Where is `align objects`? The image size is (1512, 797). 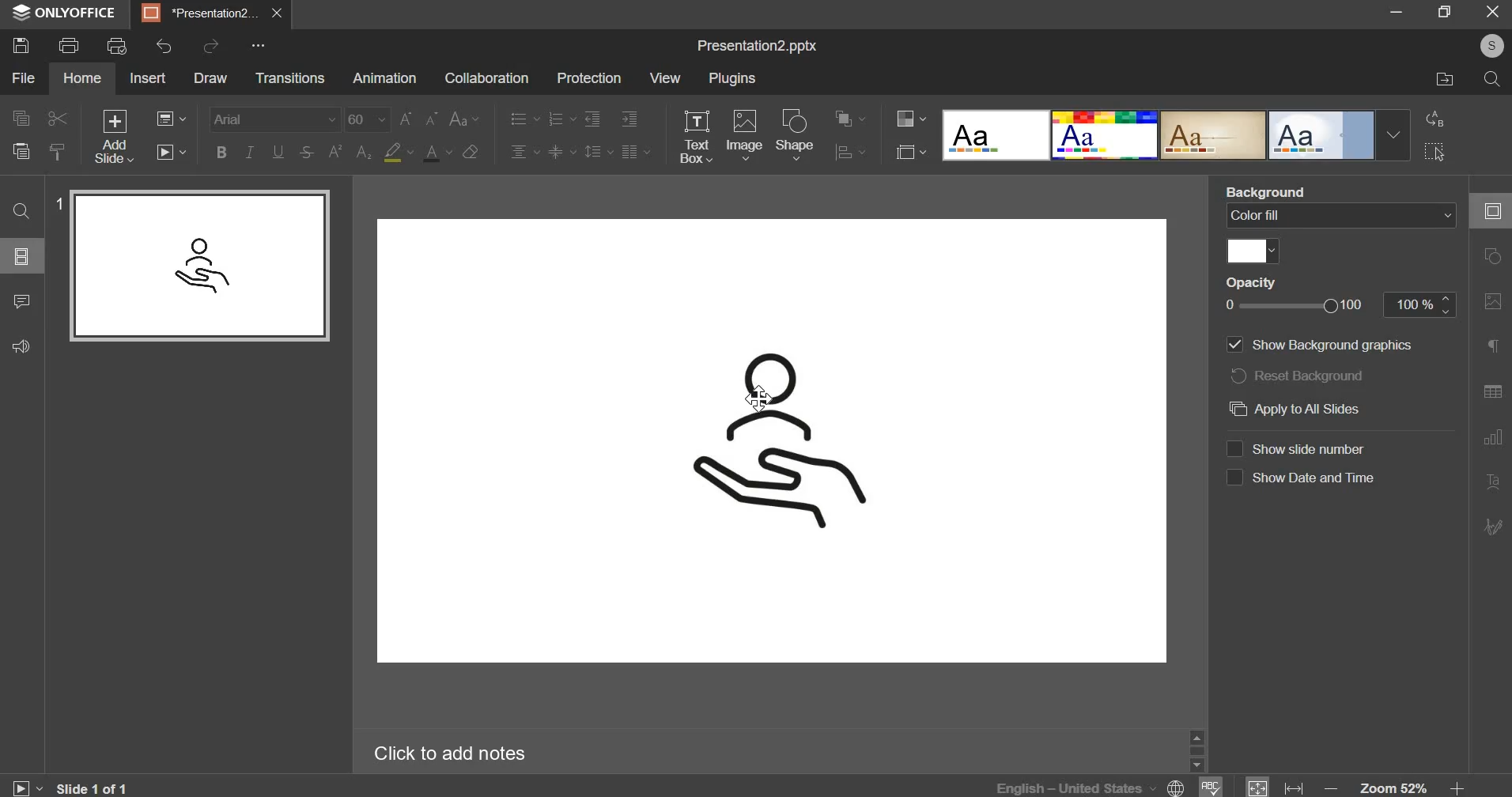
align objects is located at coordinates (853, 154).